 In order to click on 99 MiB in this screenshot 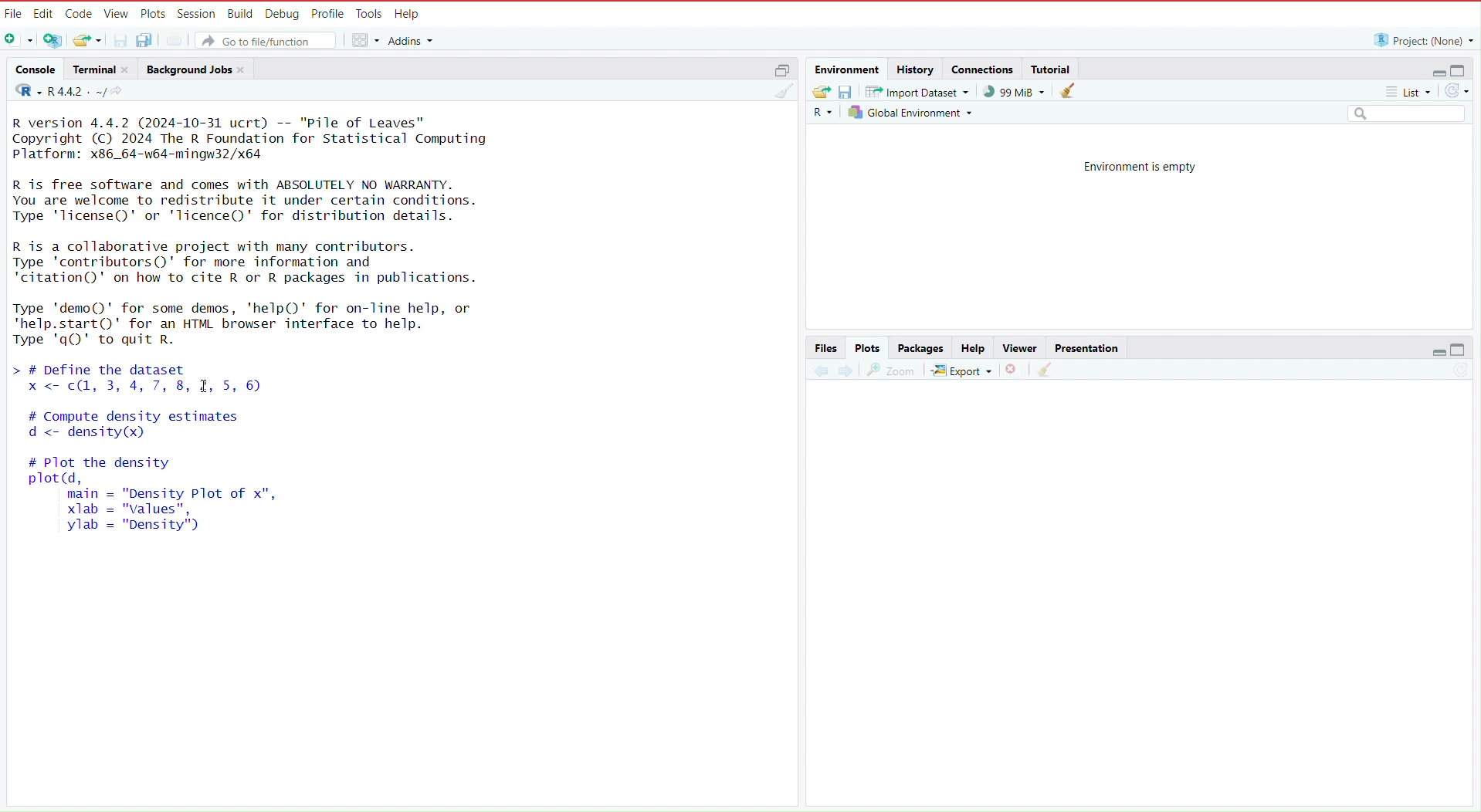, I will do `click(1014, 92)`.